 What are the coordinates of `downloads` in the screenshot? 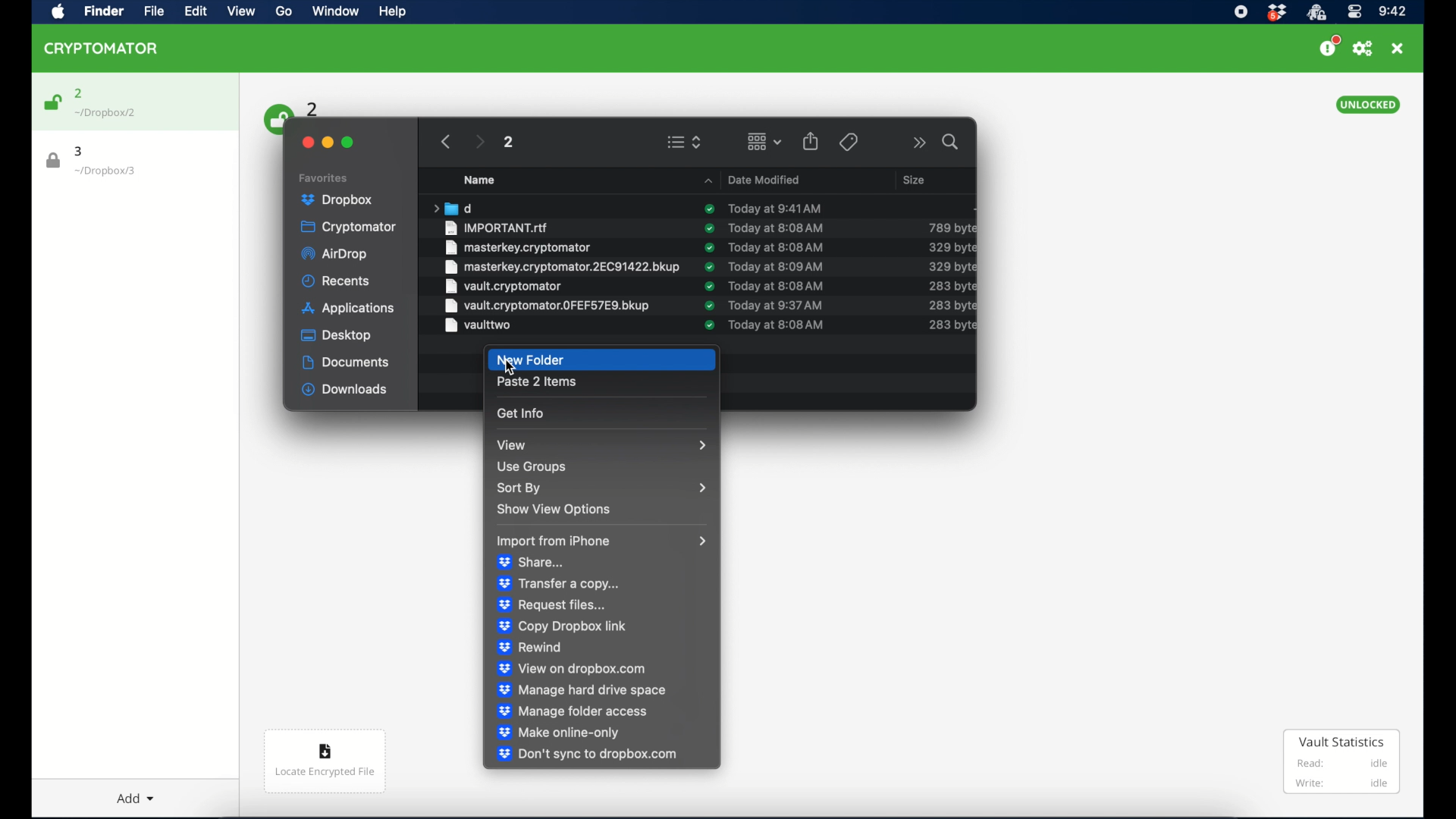 It's located at (345, 390).